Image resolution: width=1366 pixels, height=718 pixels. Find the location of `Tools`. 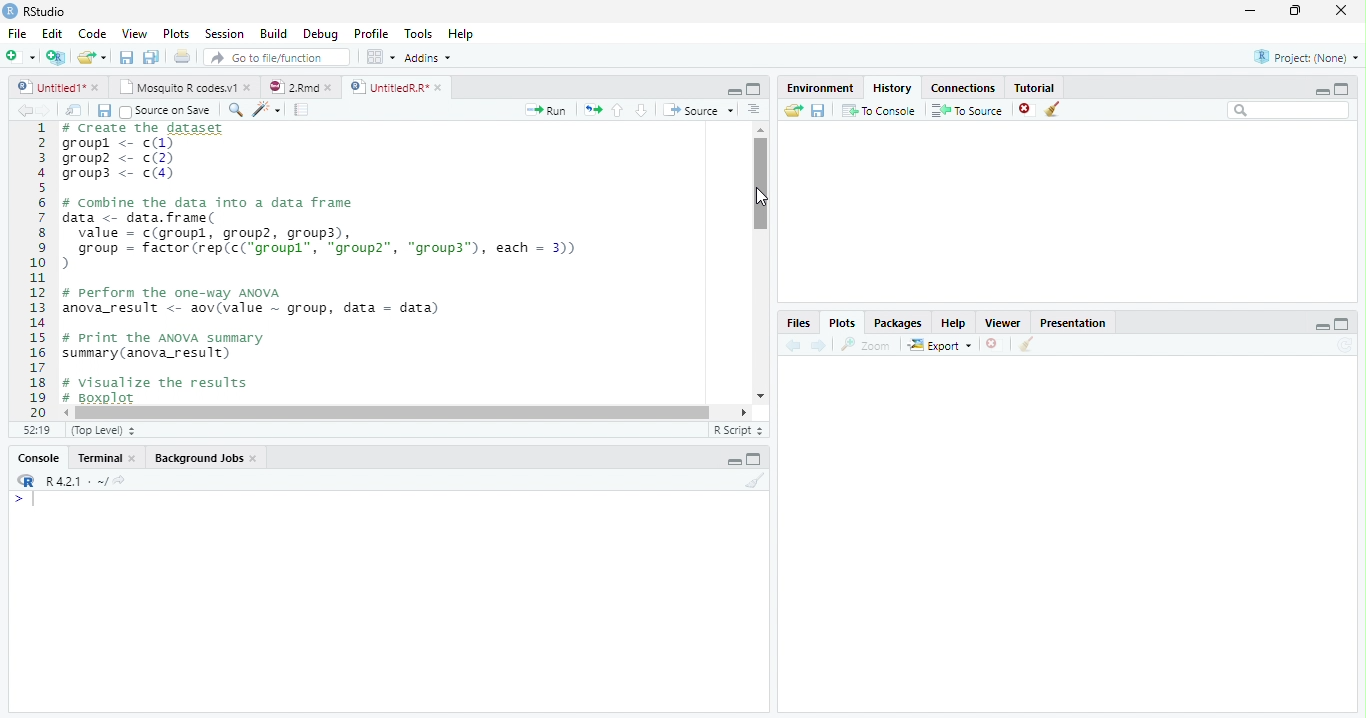

Tools is located at coordinates (420, 33).